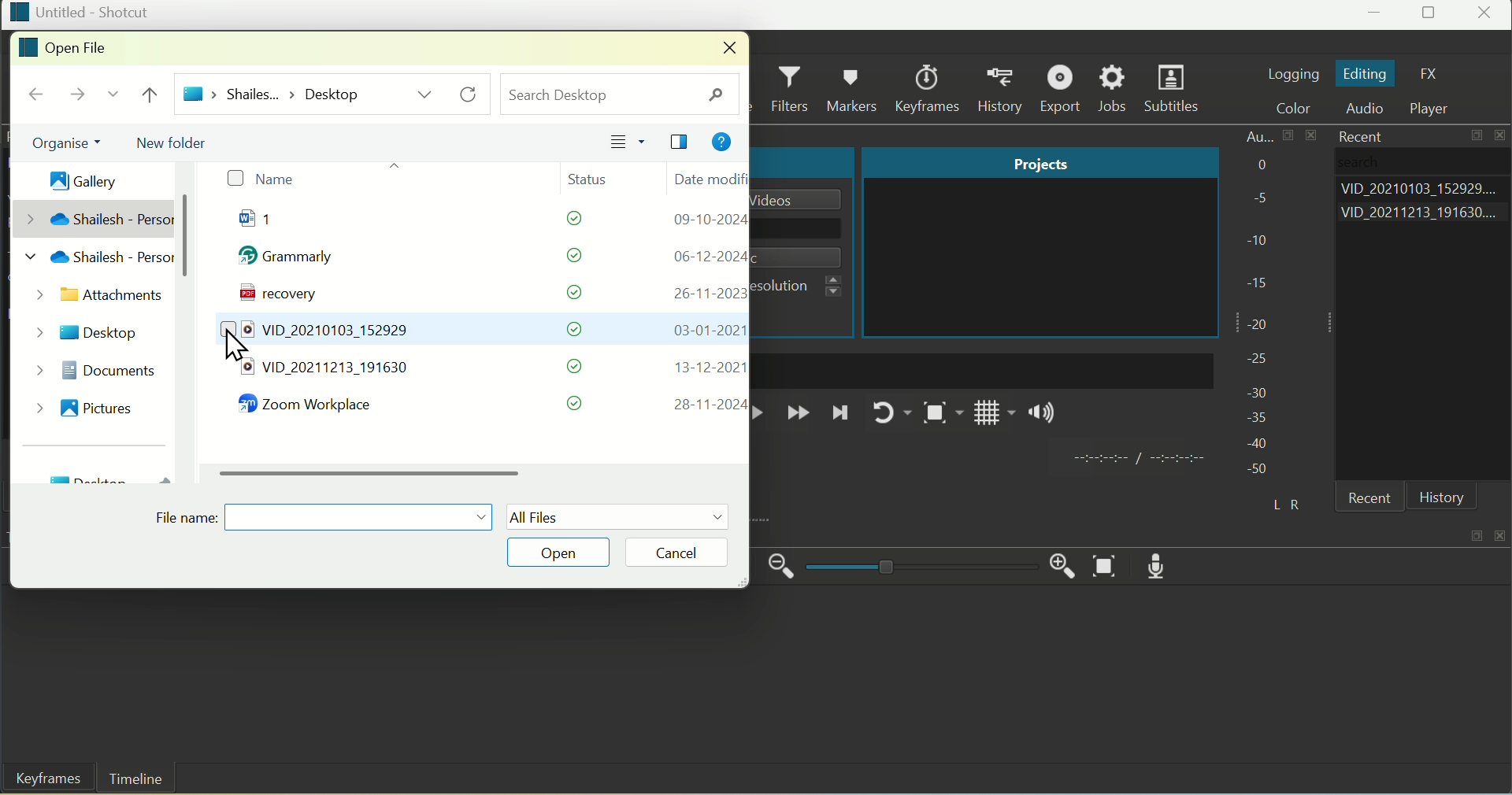  Describe the element at coordinates (707, 256) in the screenshot. I see `date` at that location.